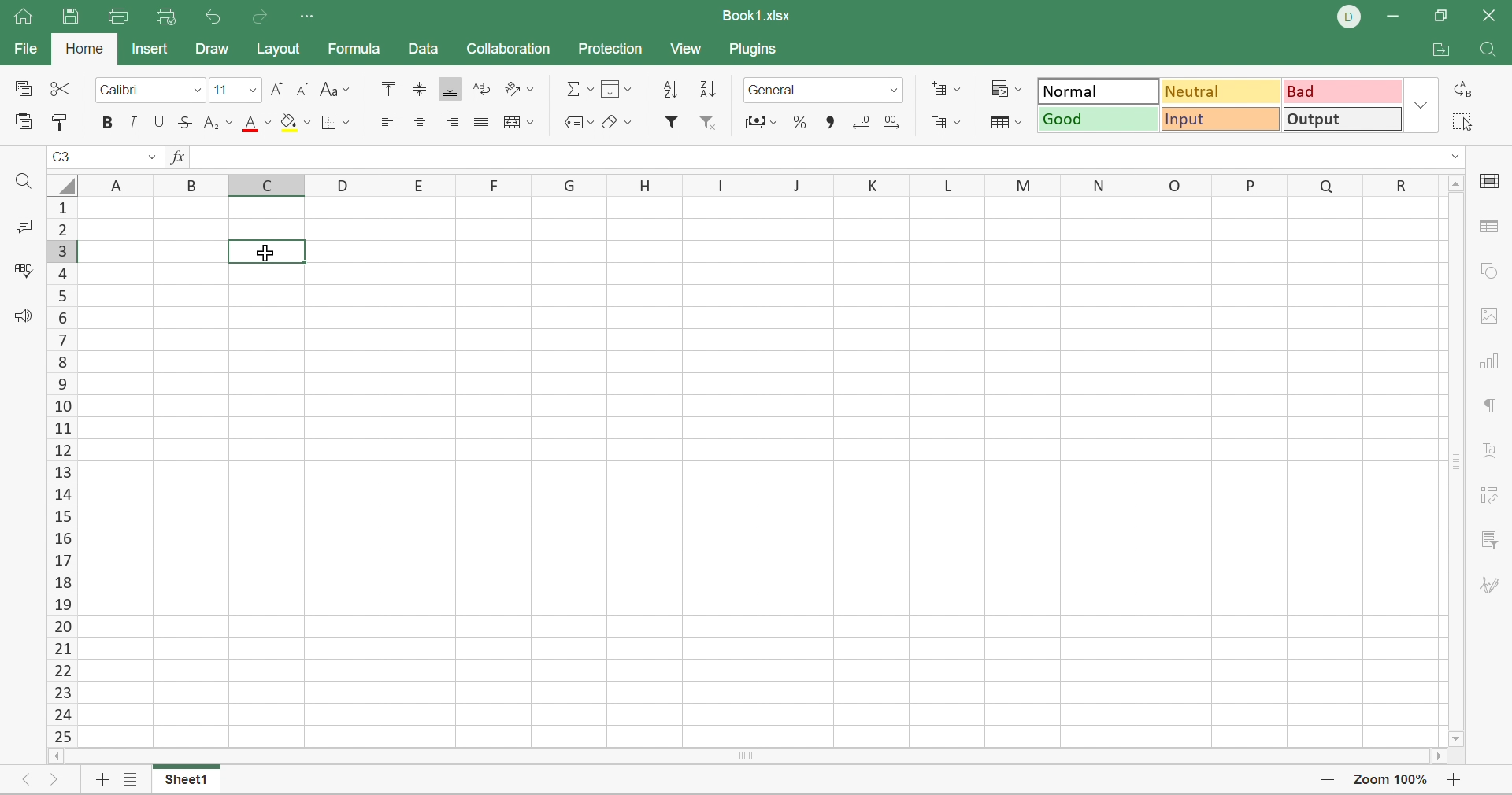 The height and width of the screenshot is (795, 1512). What do you see at coordinates (277, 50) in the screenshot?
I see `Layout` at bounding box center [277, 50].